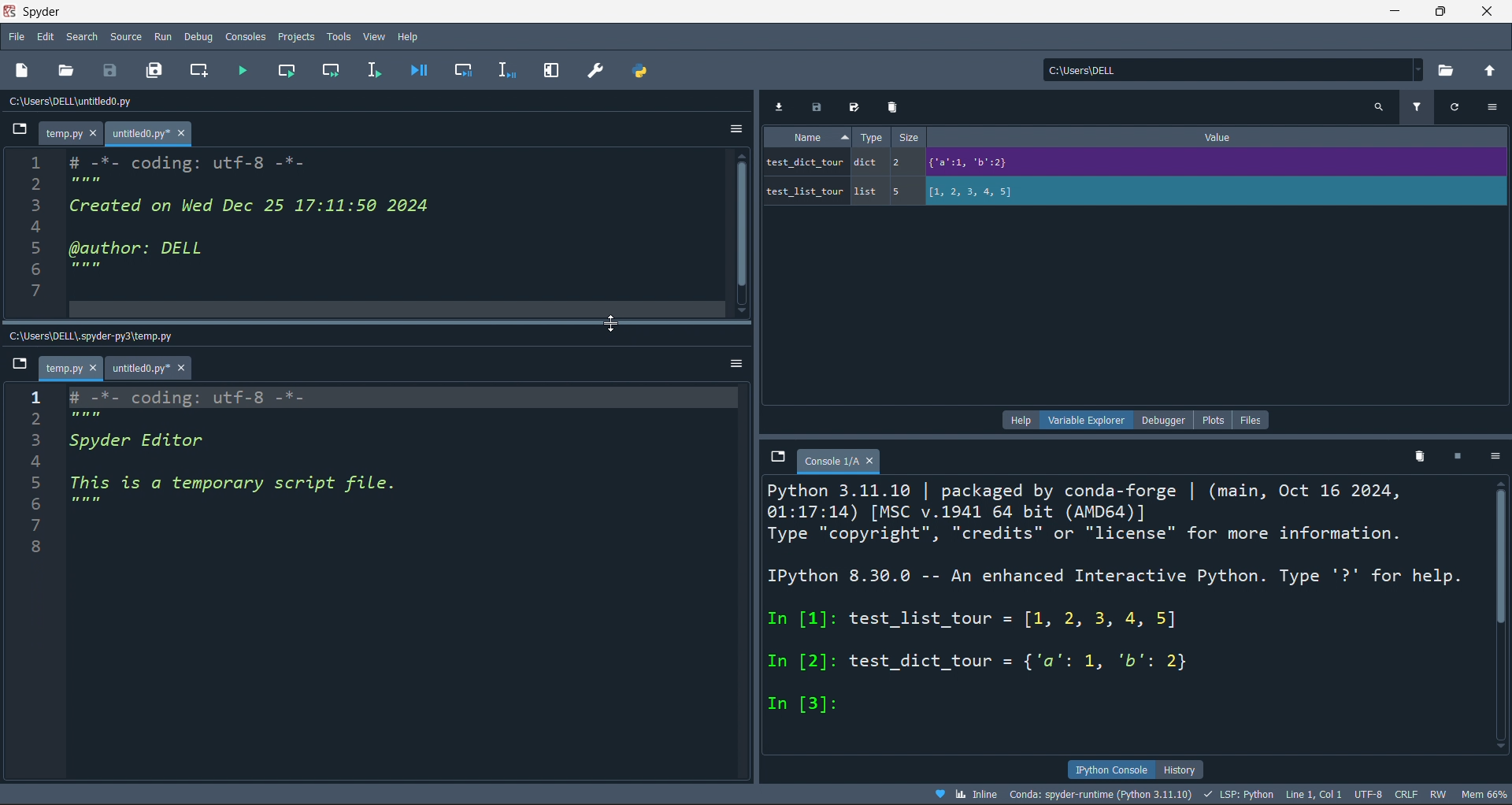 The height and width of the screenshot is (805, 1512). What do you see at coordinates (781, 106) in the screenshot?
I see `import data` at bounding box center [781, 106].